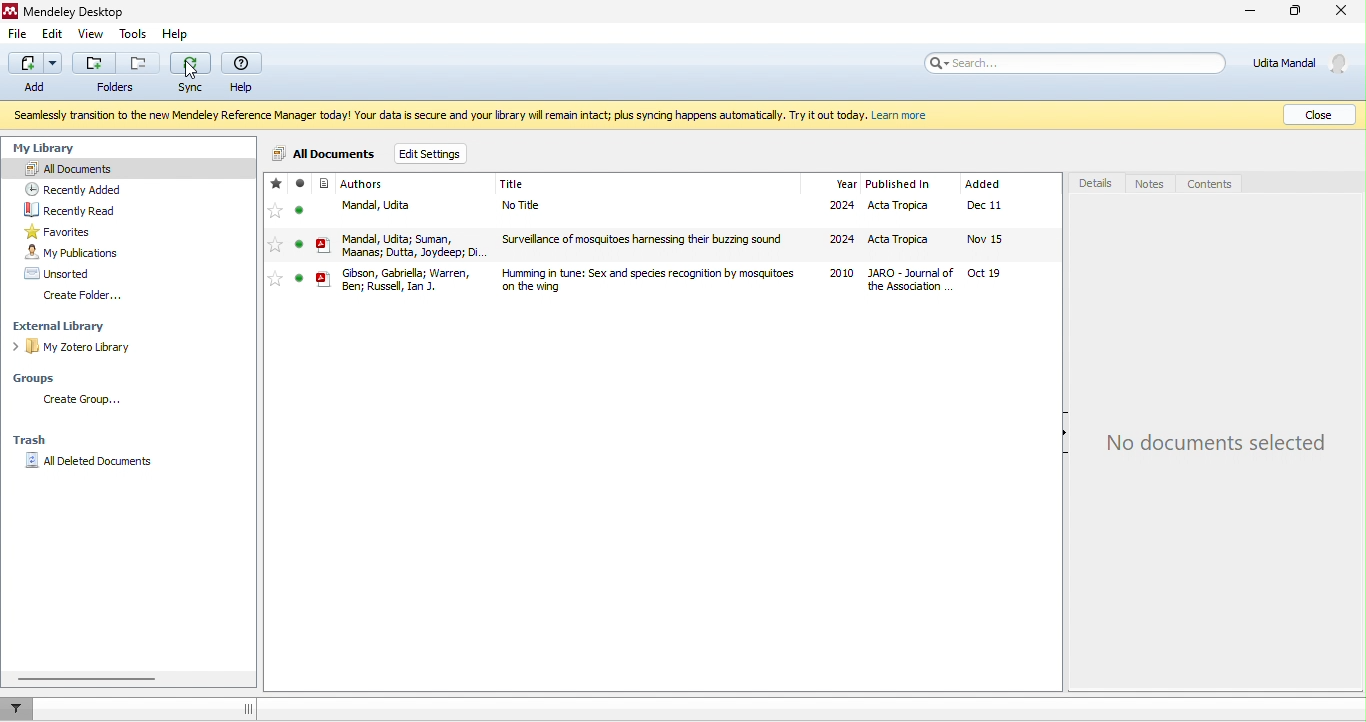 This screenshot has width=1366, height=722. What do you see at coordinates (513, 185) in the screenshot?
I see `title` at bounding box center [513, 185].